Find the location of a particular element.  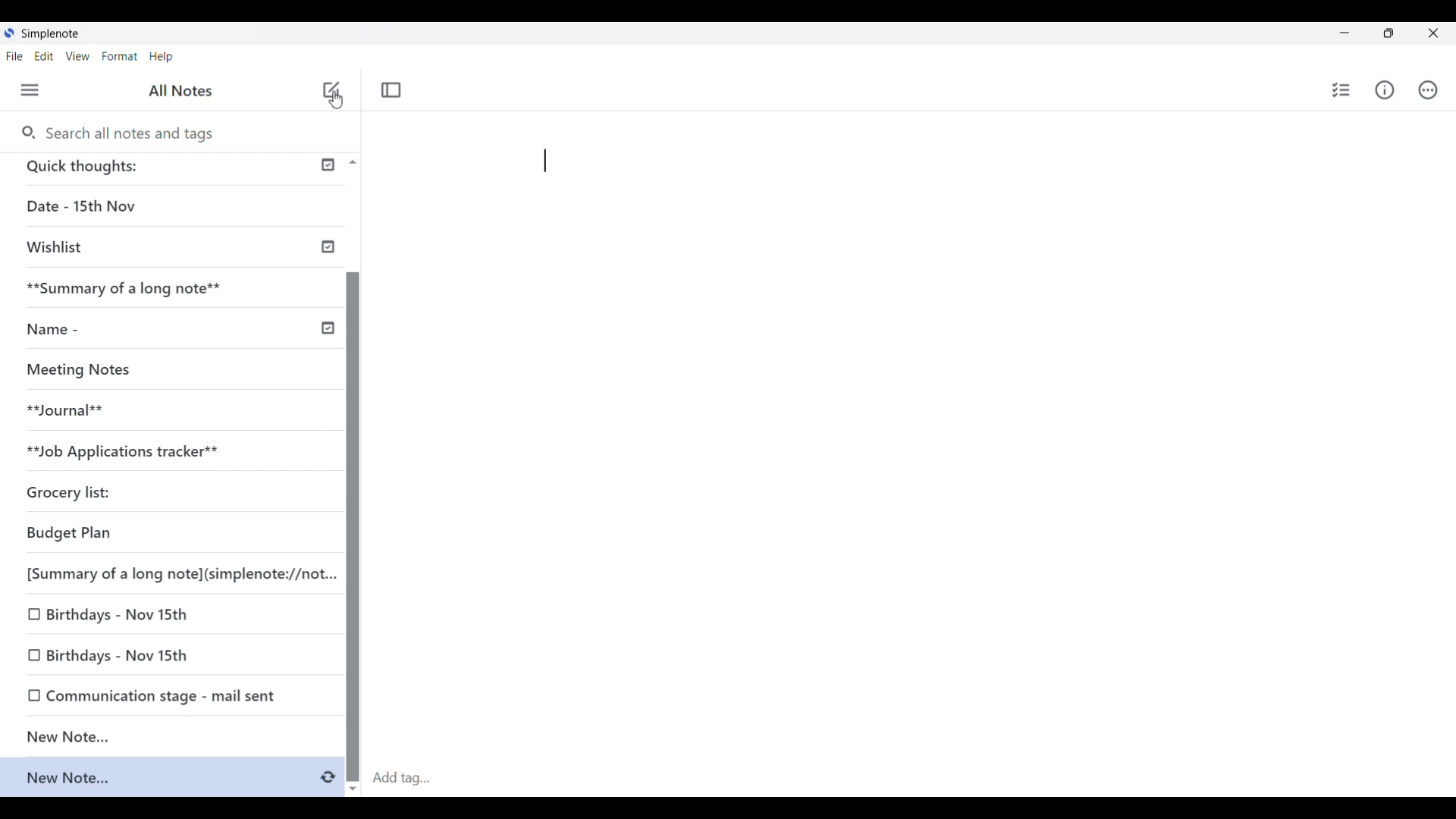

Click to type in tag is located at coordinates (400, 779).